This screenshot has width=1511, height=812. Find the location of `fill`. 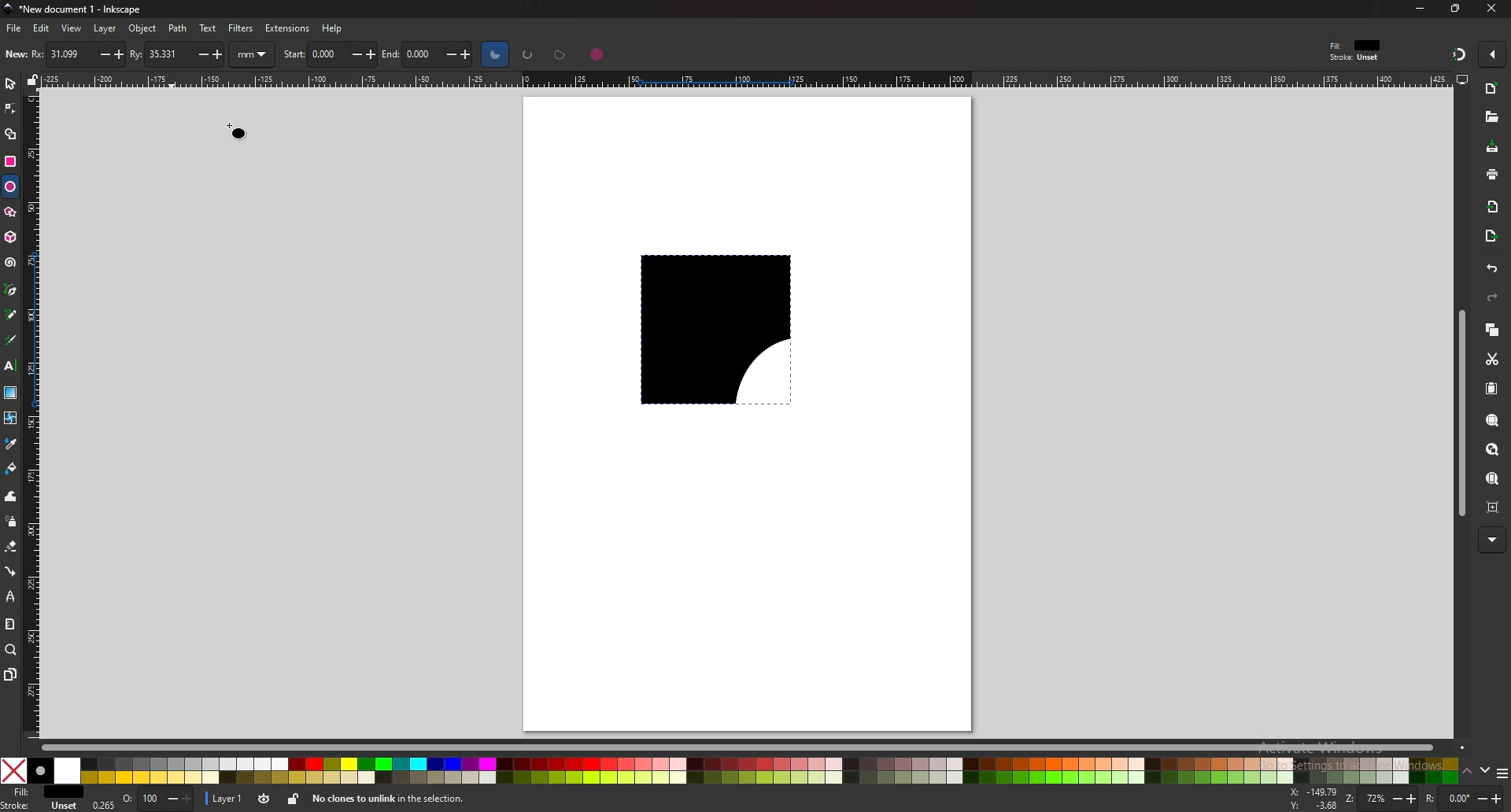

fill is located at coordinates (42, 792).